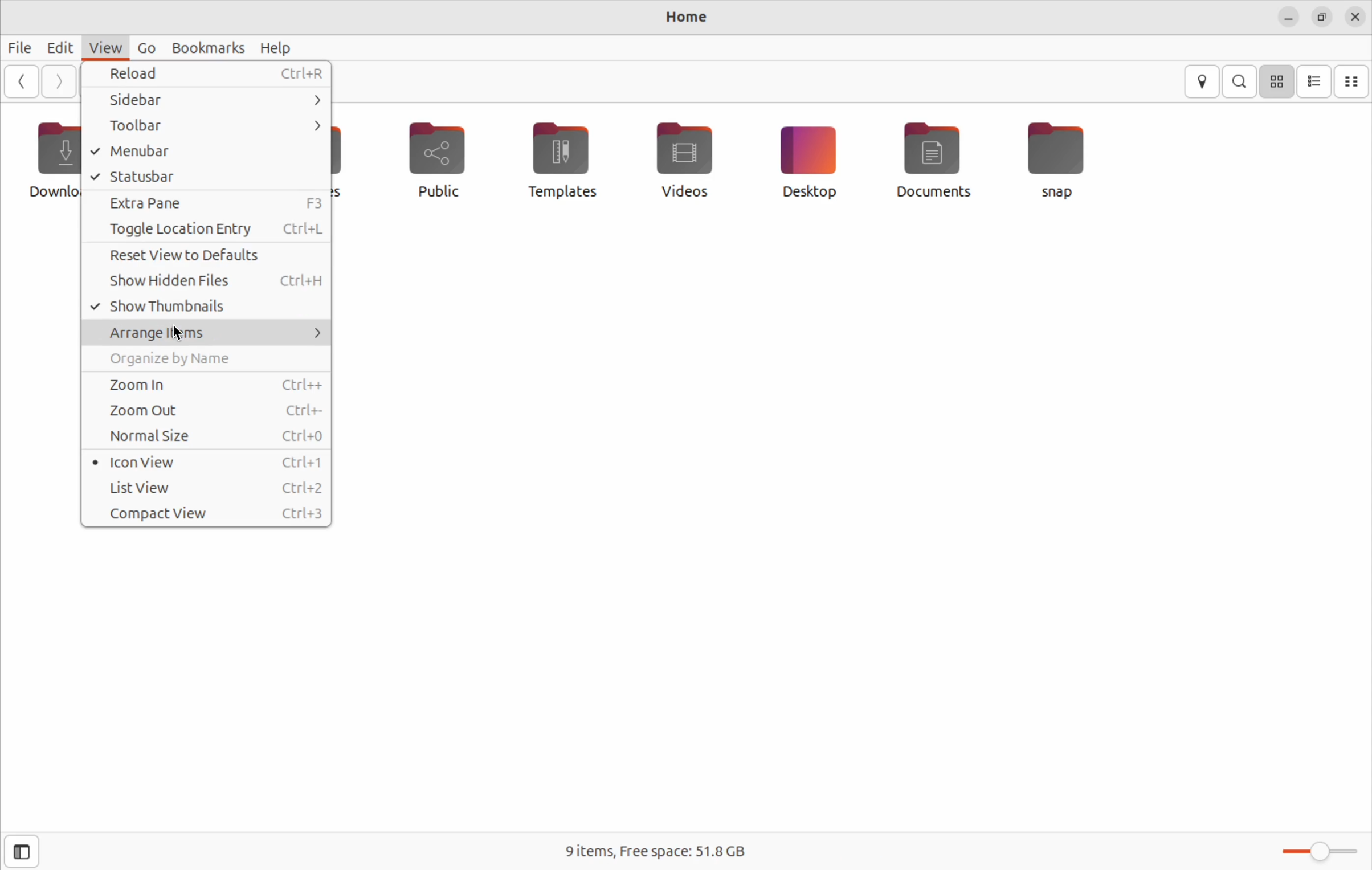 The image size is (1372, 870). What do you see at coordinates (654, 851) in the screenshot?
I see `9 items free space 51.8Gb` at bounding box center [654, 851].